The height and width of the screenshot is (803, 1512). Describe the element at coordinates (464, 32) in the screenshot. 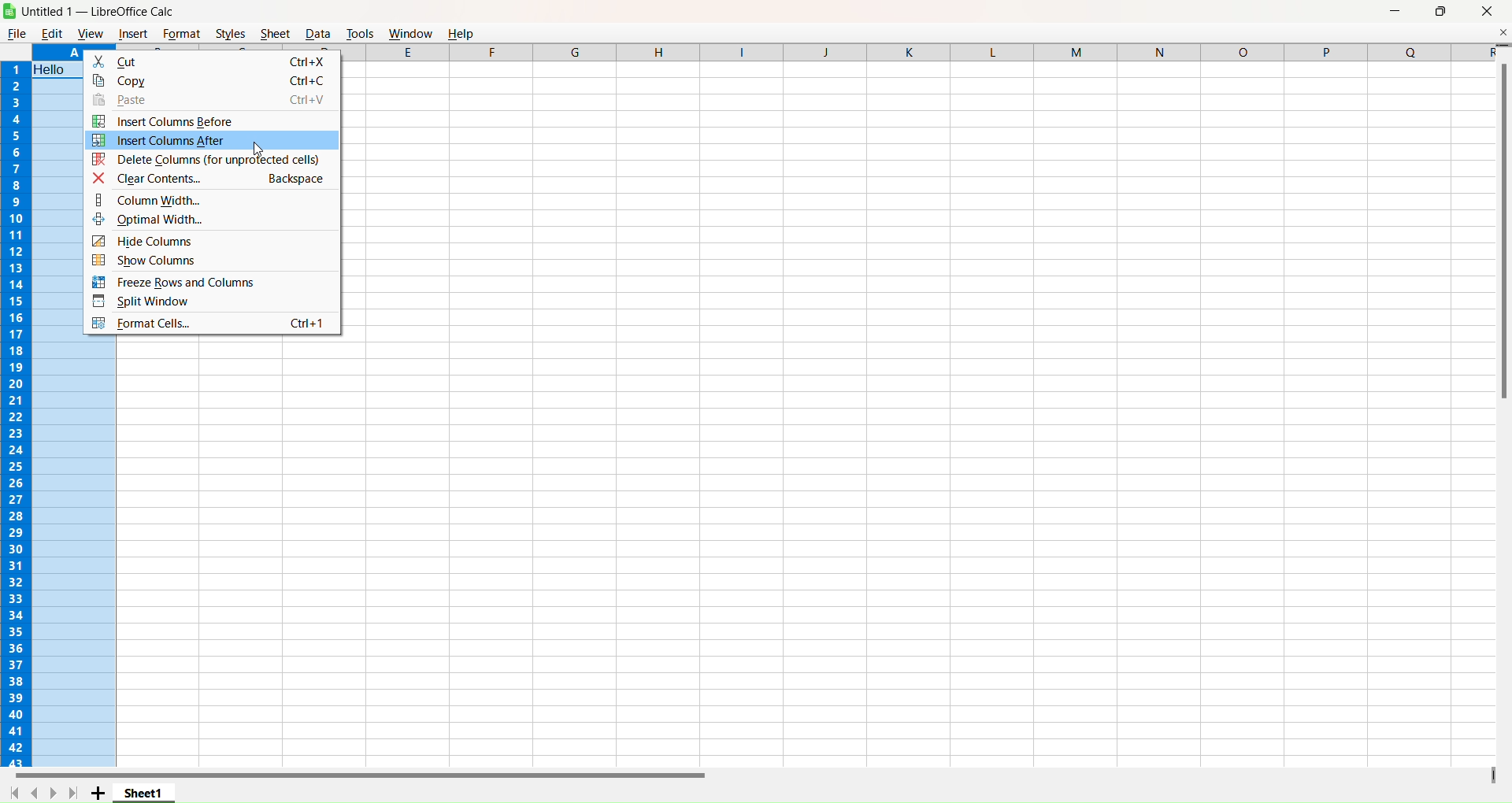

I see `help` at that location.